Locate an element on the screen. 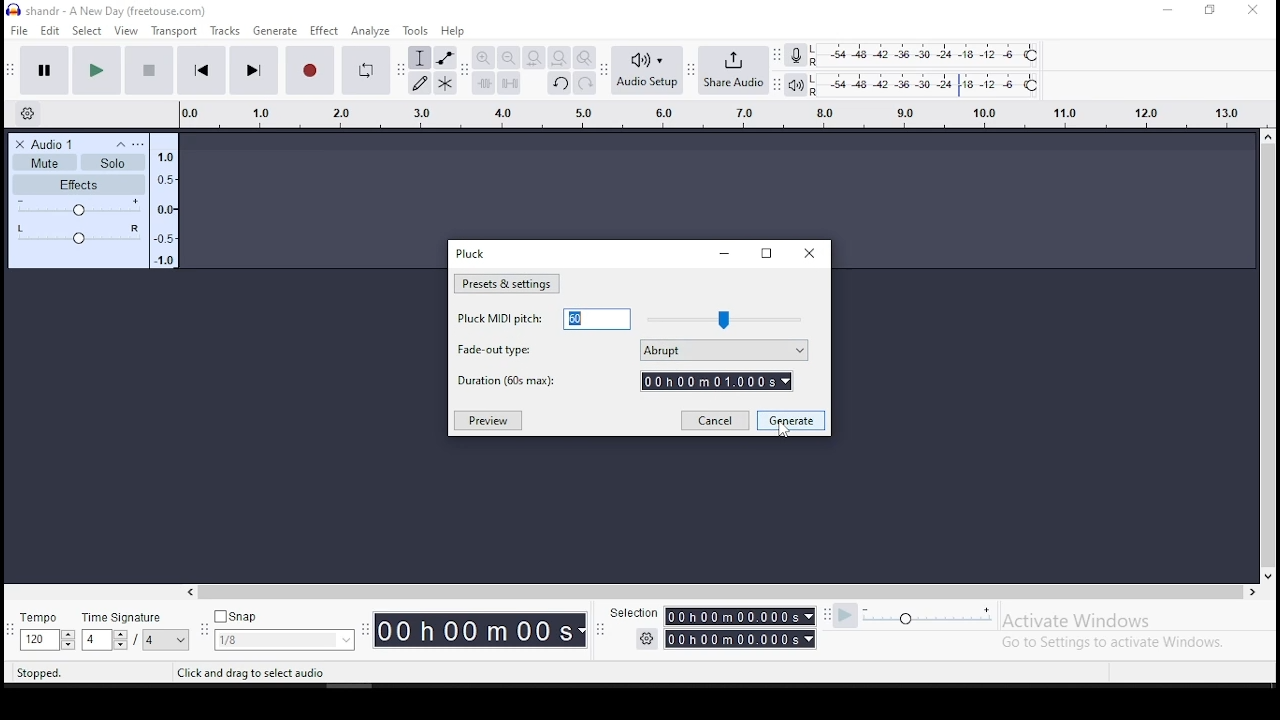 The height and width of the screenshot is (720, 1280). pan is located at coordinates (77, 232).